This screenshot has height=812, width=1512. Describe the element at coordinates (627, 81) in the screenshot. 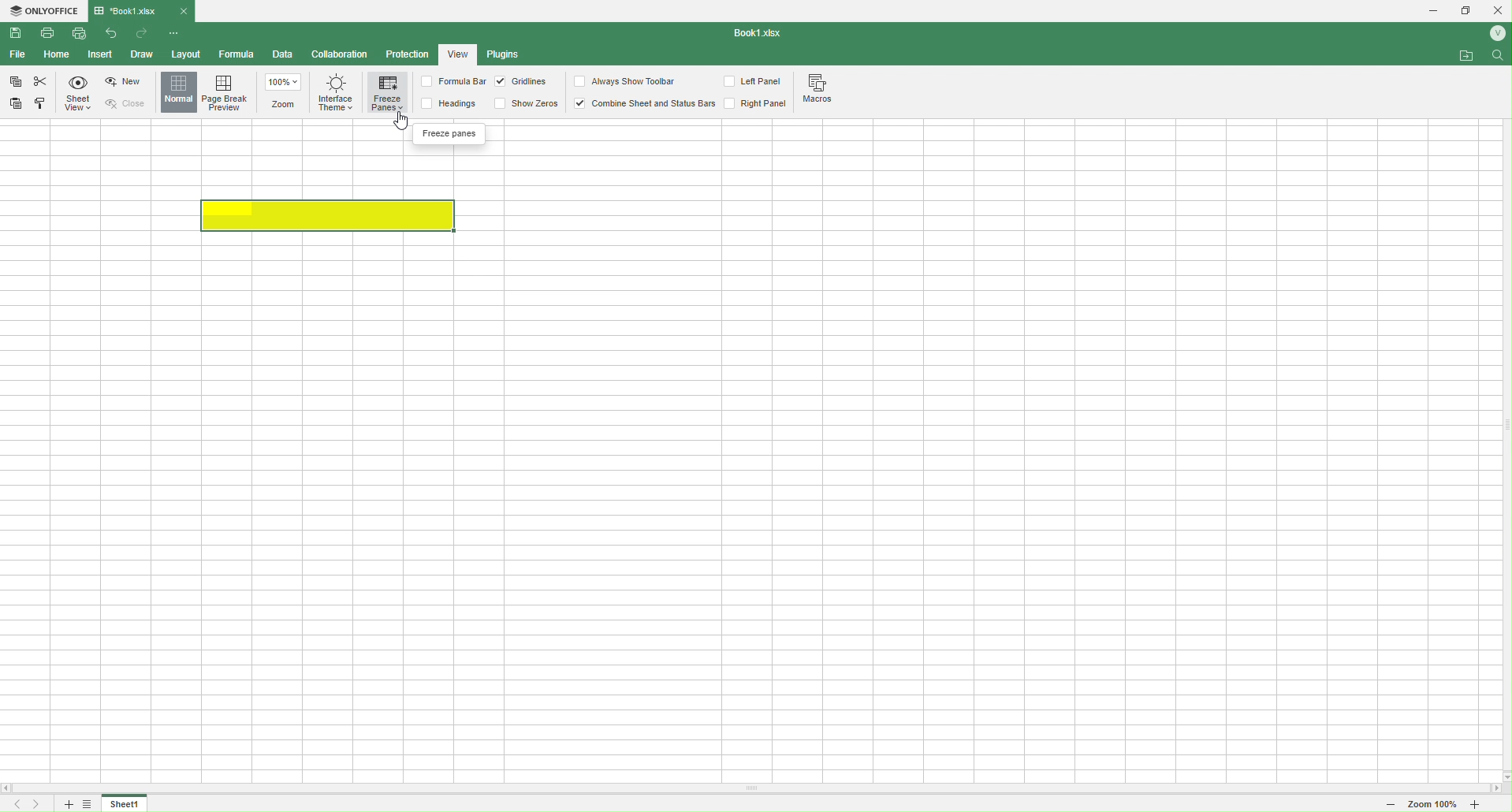

I see `Always show toolbar` at that location.